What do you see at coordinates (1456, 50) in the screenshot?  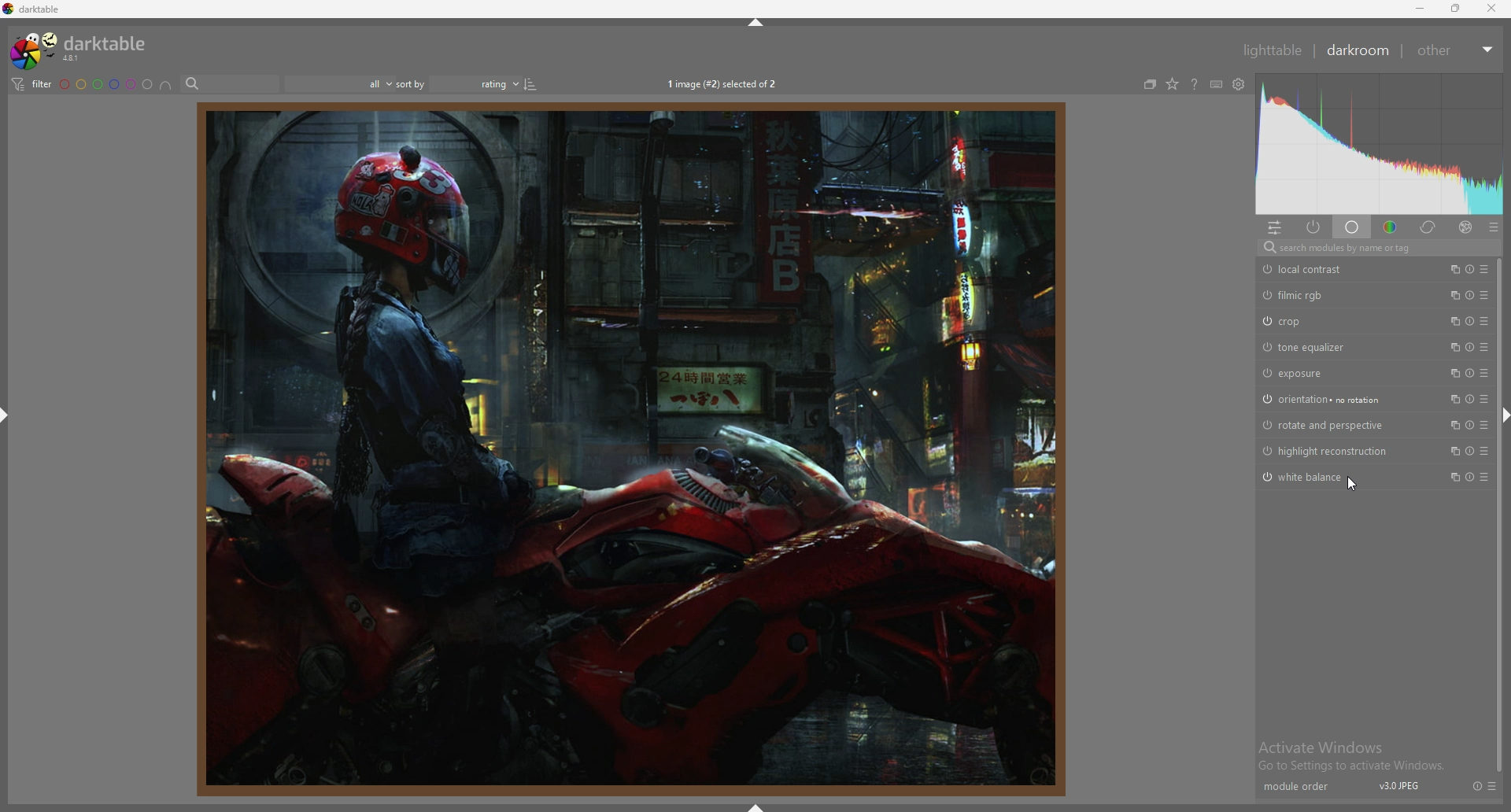 I see `other` at bounding box center [1456, 50].